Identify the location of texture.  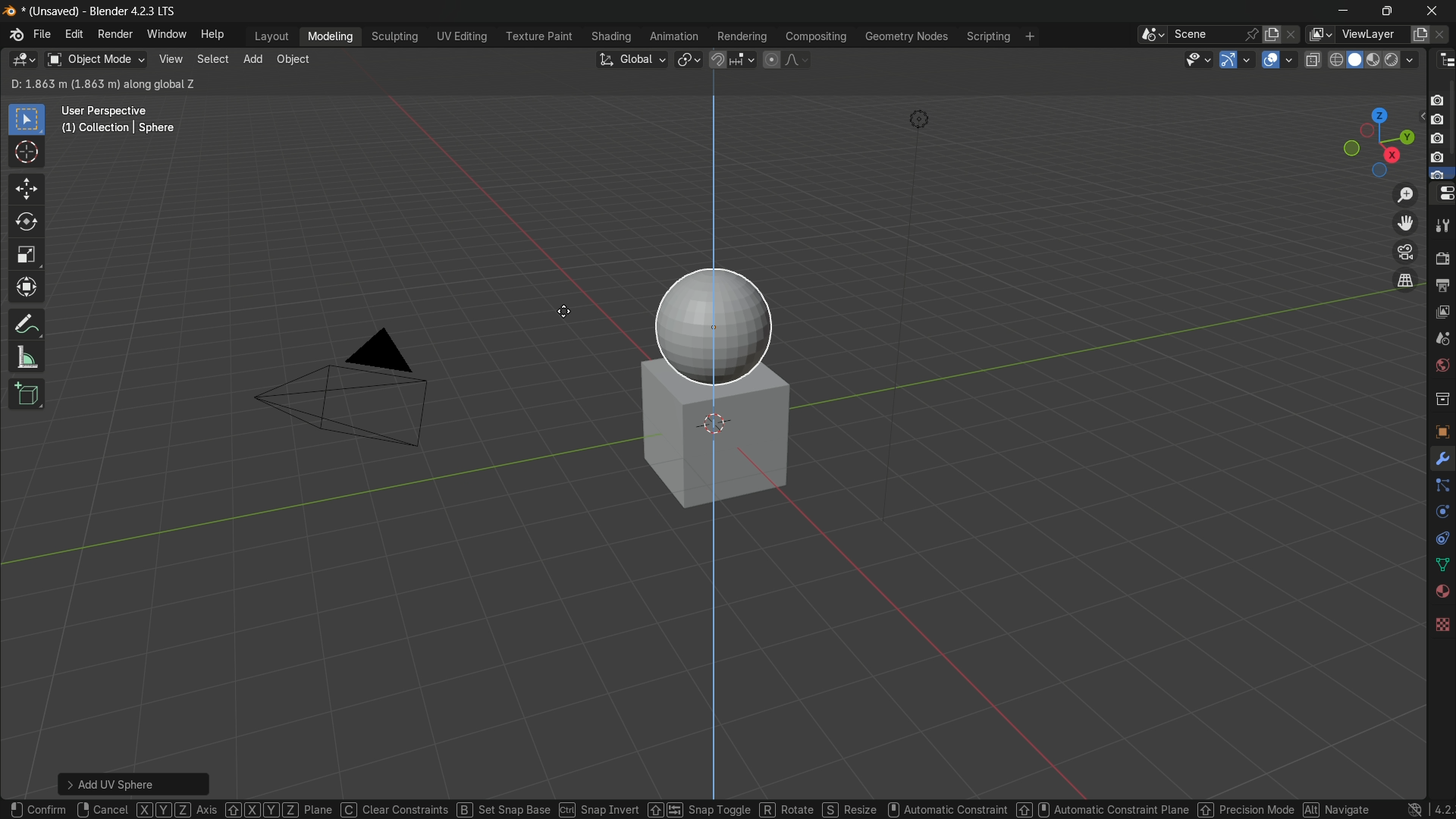
(1442, 434).